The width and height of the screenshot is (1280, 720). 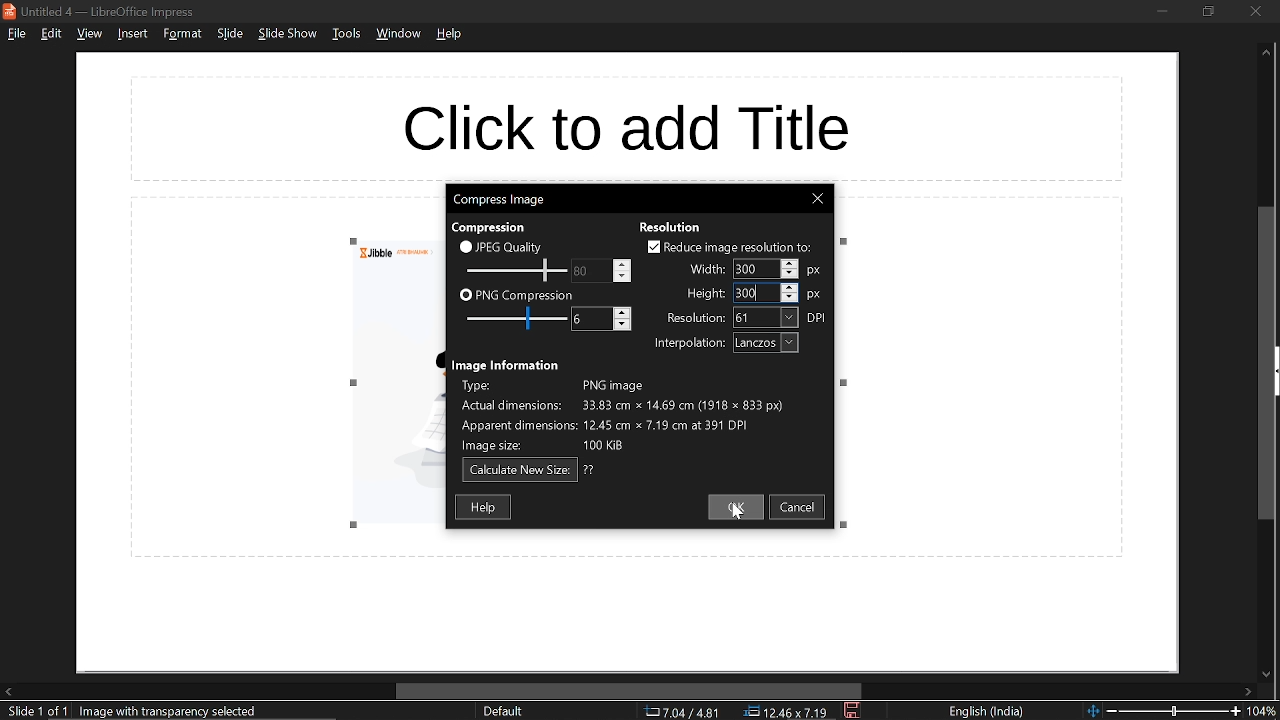 I want to click on selected image, so click(x=173, y=711).